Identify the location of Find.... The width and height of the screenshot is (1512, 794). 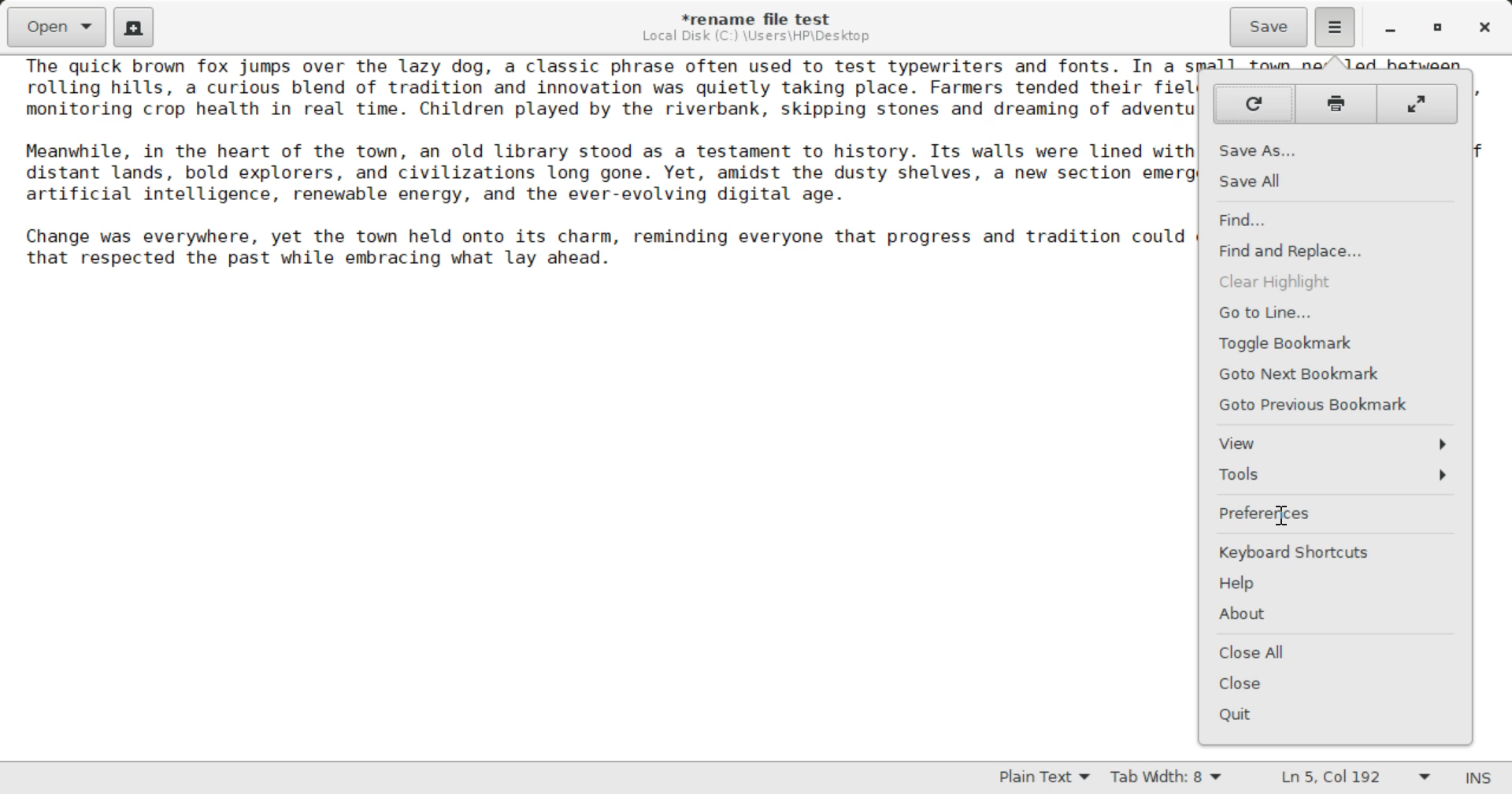
(1326, 221).